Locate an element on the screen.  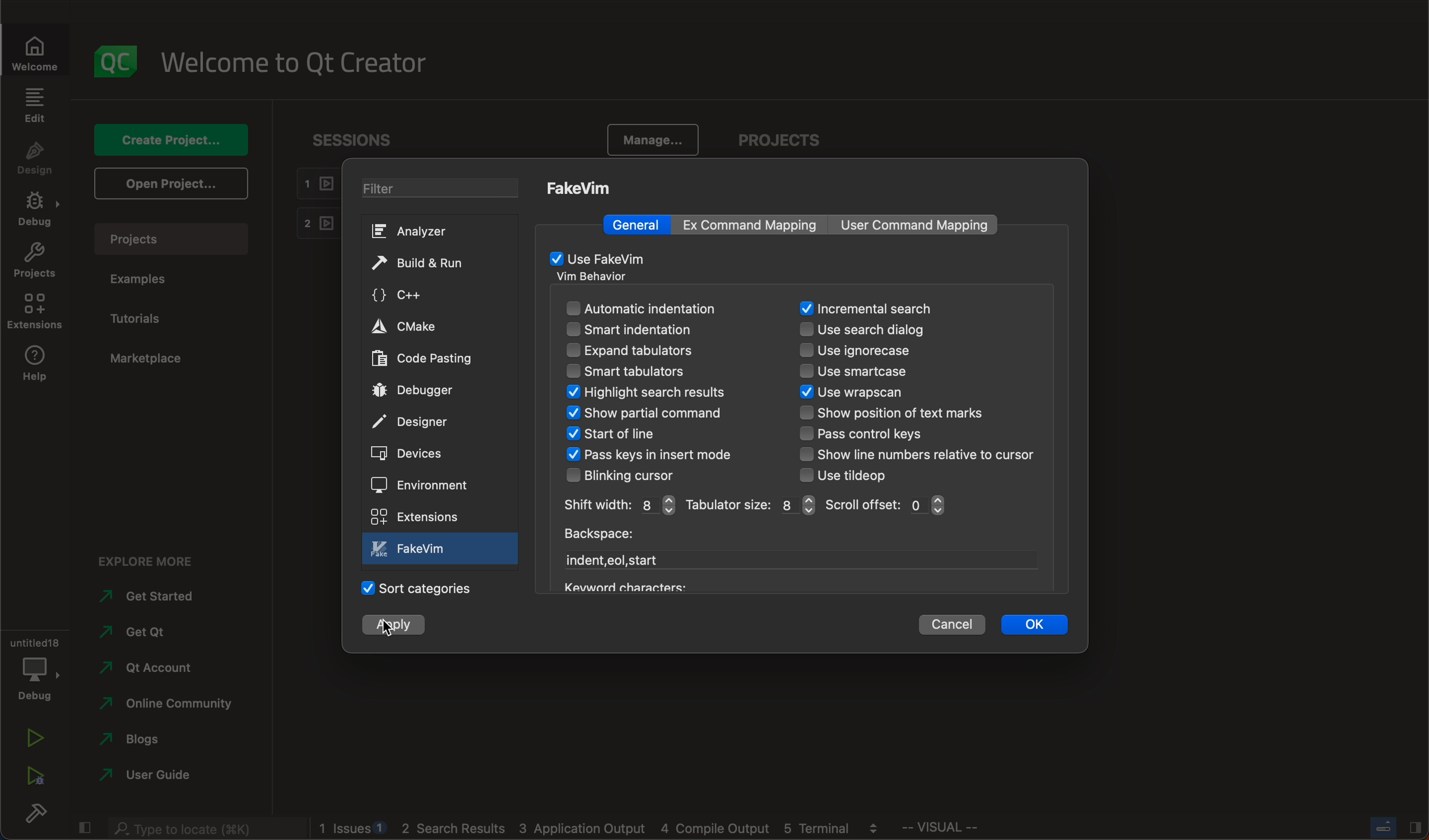
 is located at coordinates (352, 826).